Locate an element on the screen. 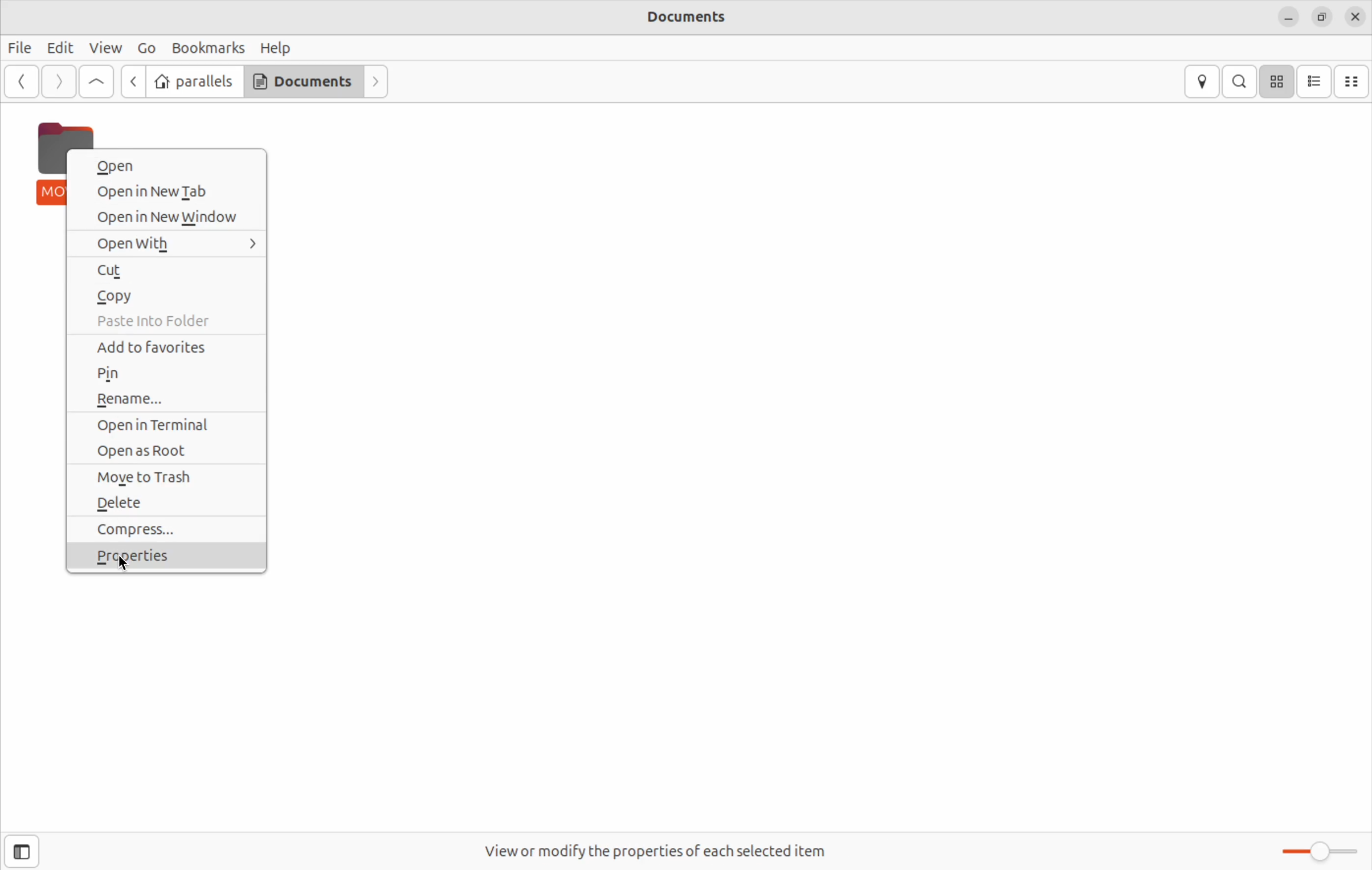 The width and height of the screenshot is (1372, 870). resize is located at coordinates (1324, 18).